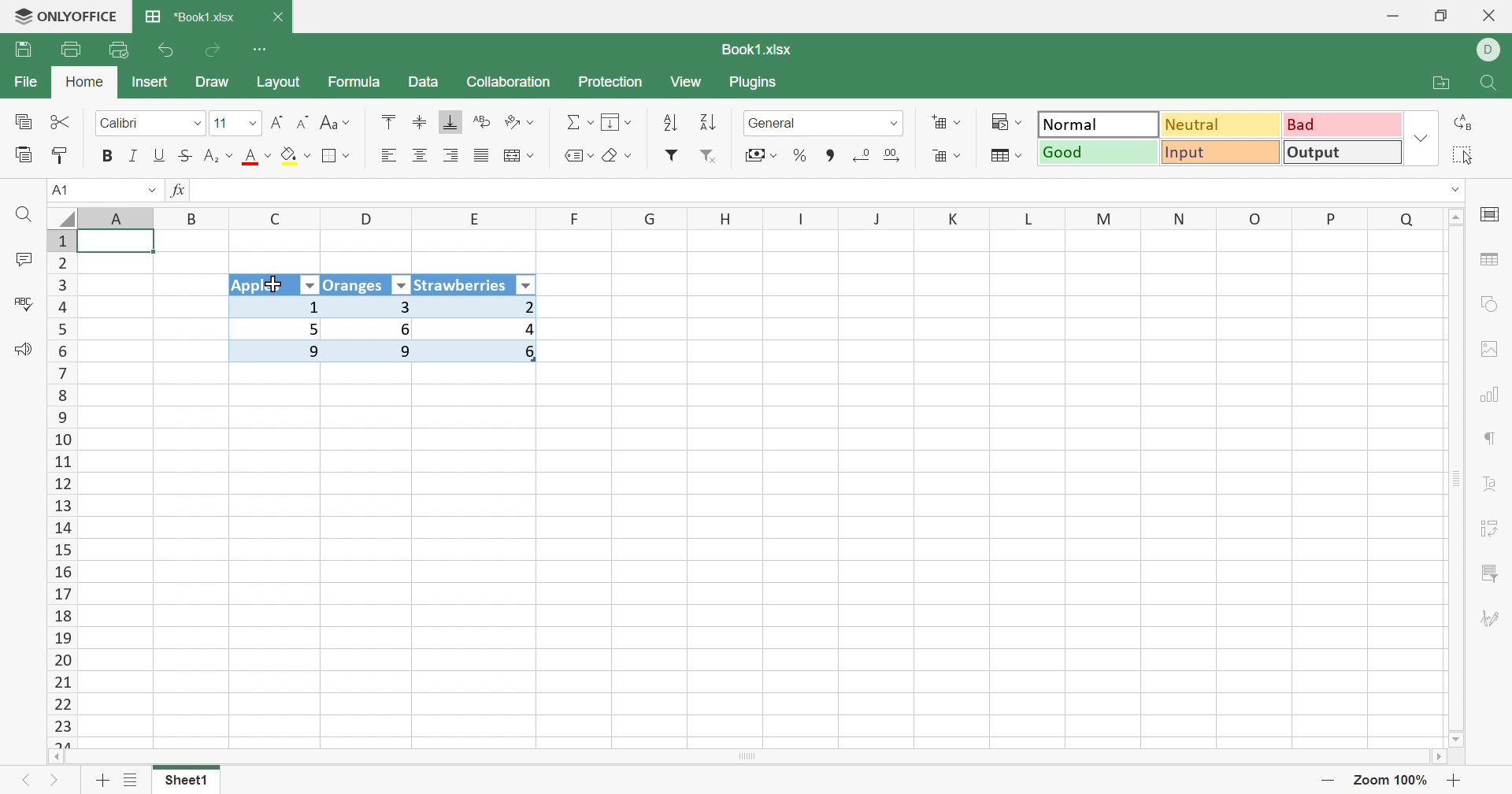 The height and width of the screenshot is (794, 1512). I want to click on slicer settings, so click(1490, 570).